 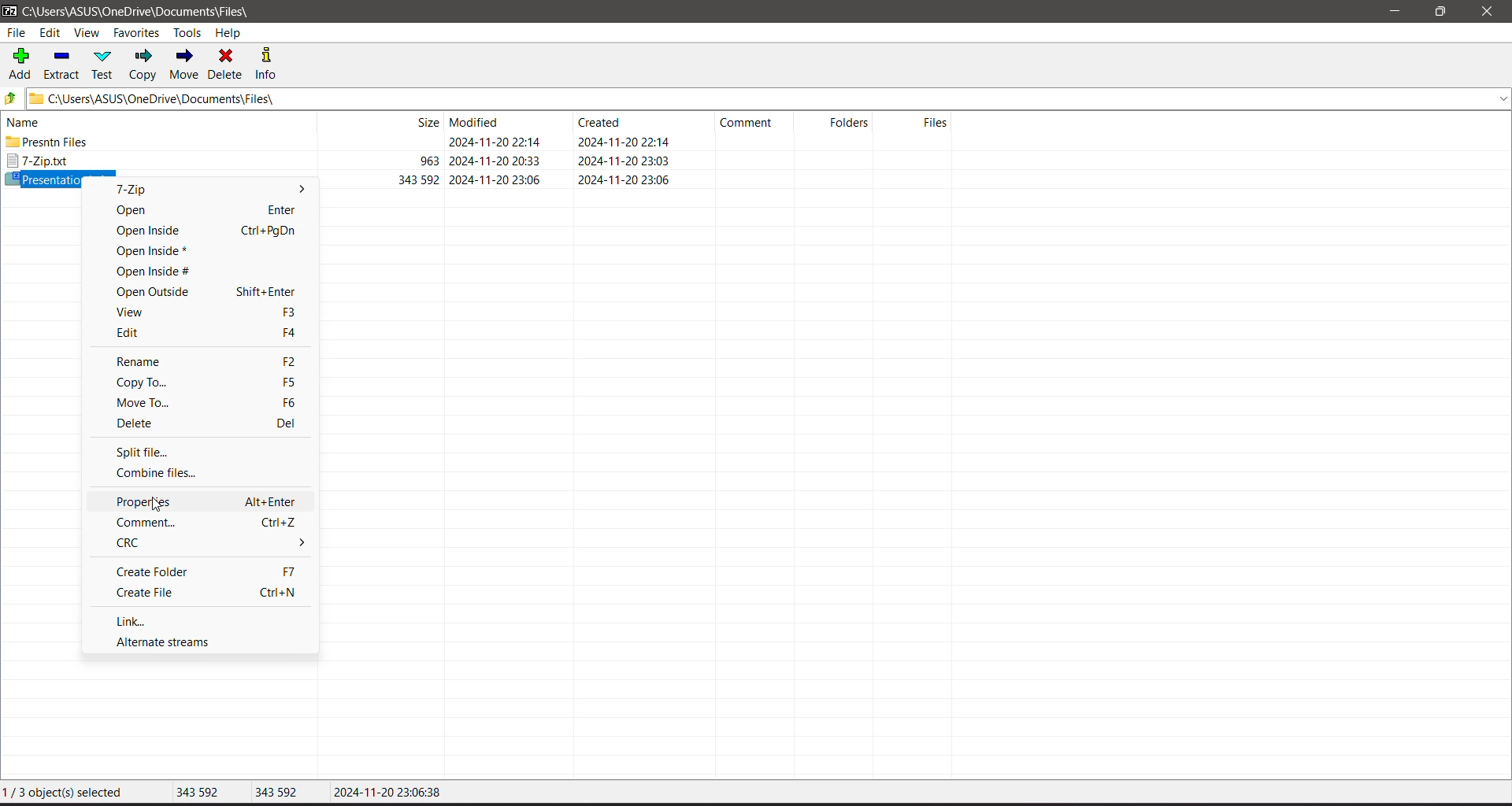 I want to click on Test, so click(x=105, y=64).